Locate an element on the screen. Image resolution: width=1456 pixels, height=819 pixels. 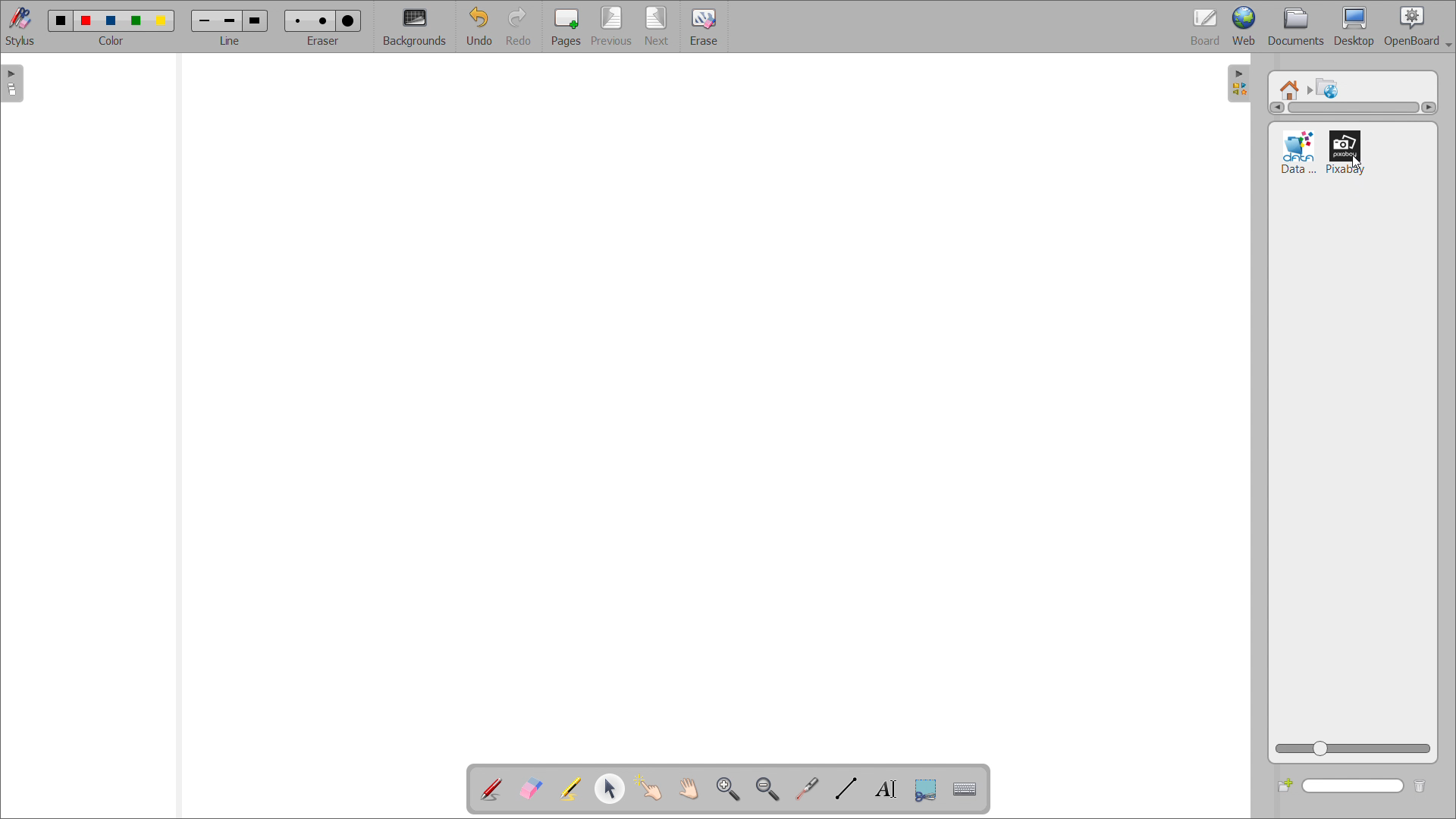
openboard settings is located at coordinates (1417, 27).